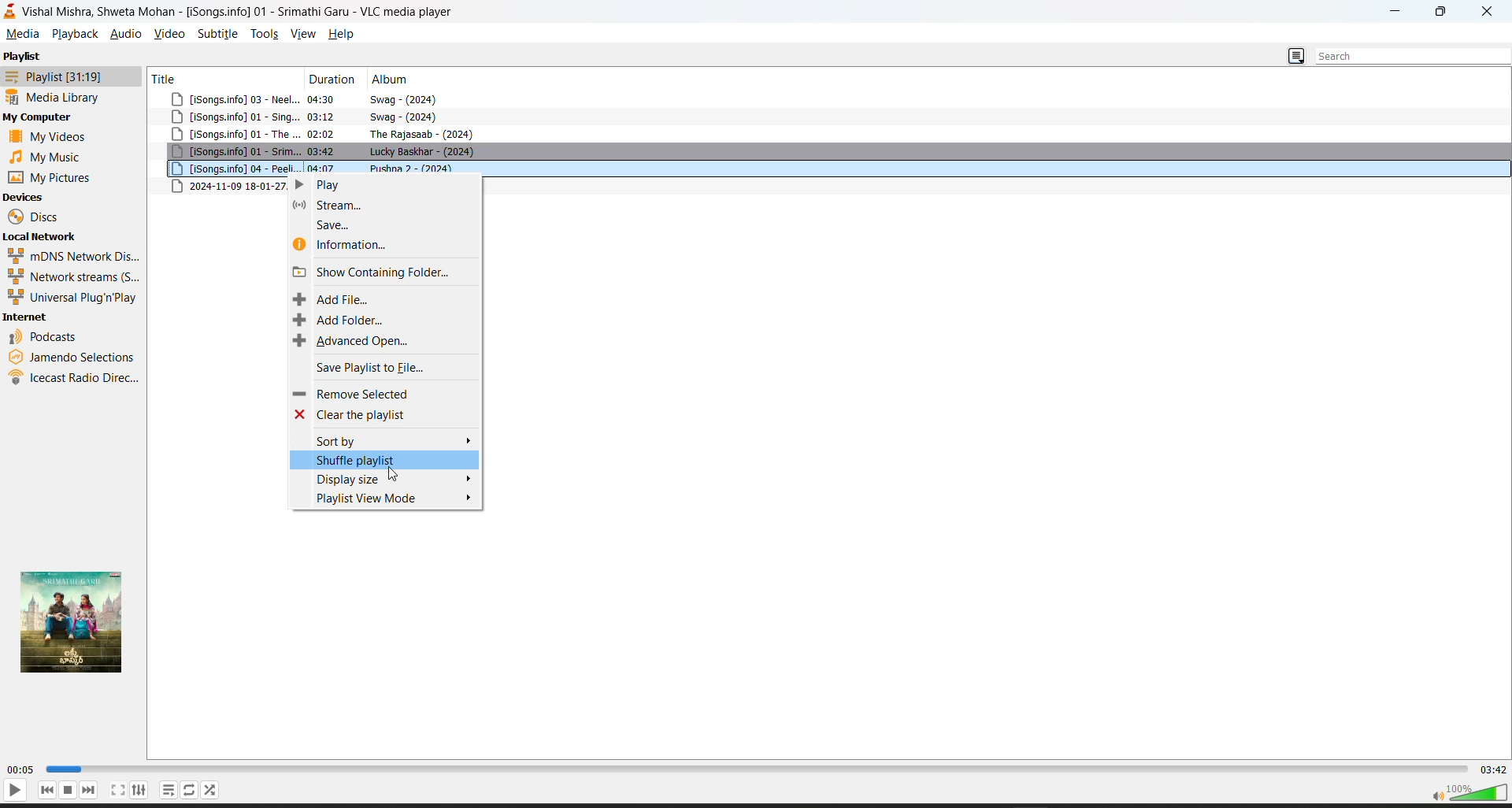 The height and width of the screenshot is (808, 1512). What do you see at coordinates (232, 98) in the screenshot?
I see `songs info 03 neel` at bounding box center [232, 98].